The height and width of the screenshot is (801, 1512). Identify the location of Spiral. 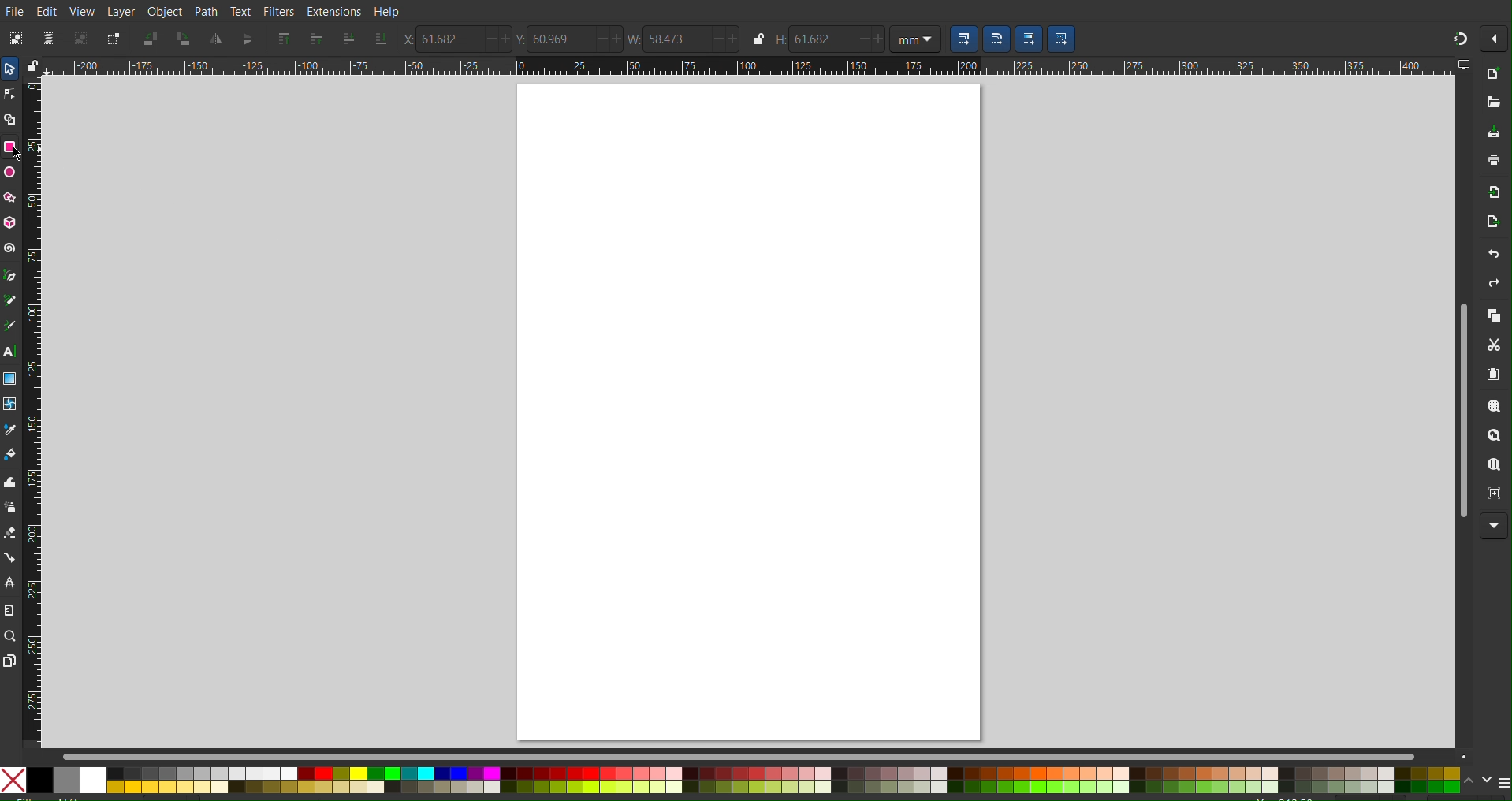
(9, 248).